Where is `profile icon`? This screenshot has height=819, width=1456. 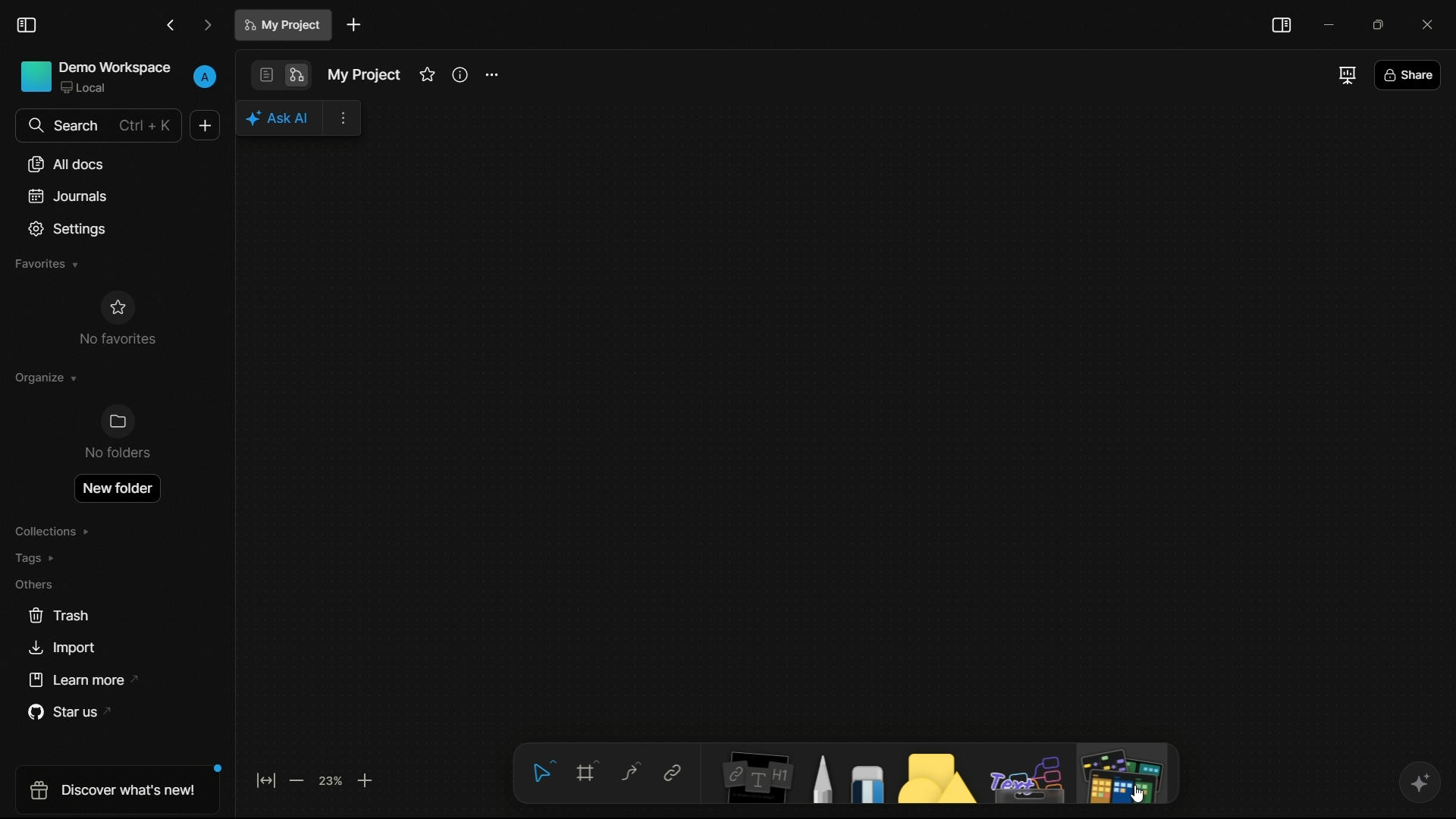
profile icon is located at coordinates (206, 74).